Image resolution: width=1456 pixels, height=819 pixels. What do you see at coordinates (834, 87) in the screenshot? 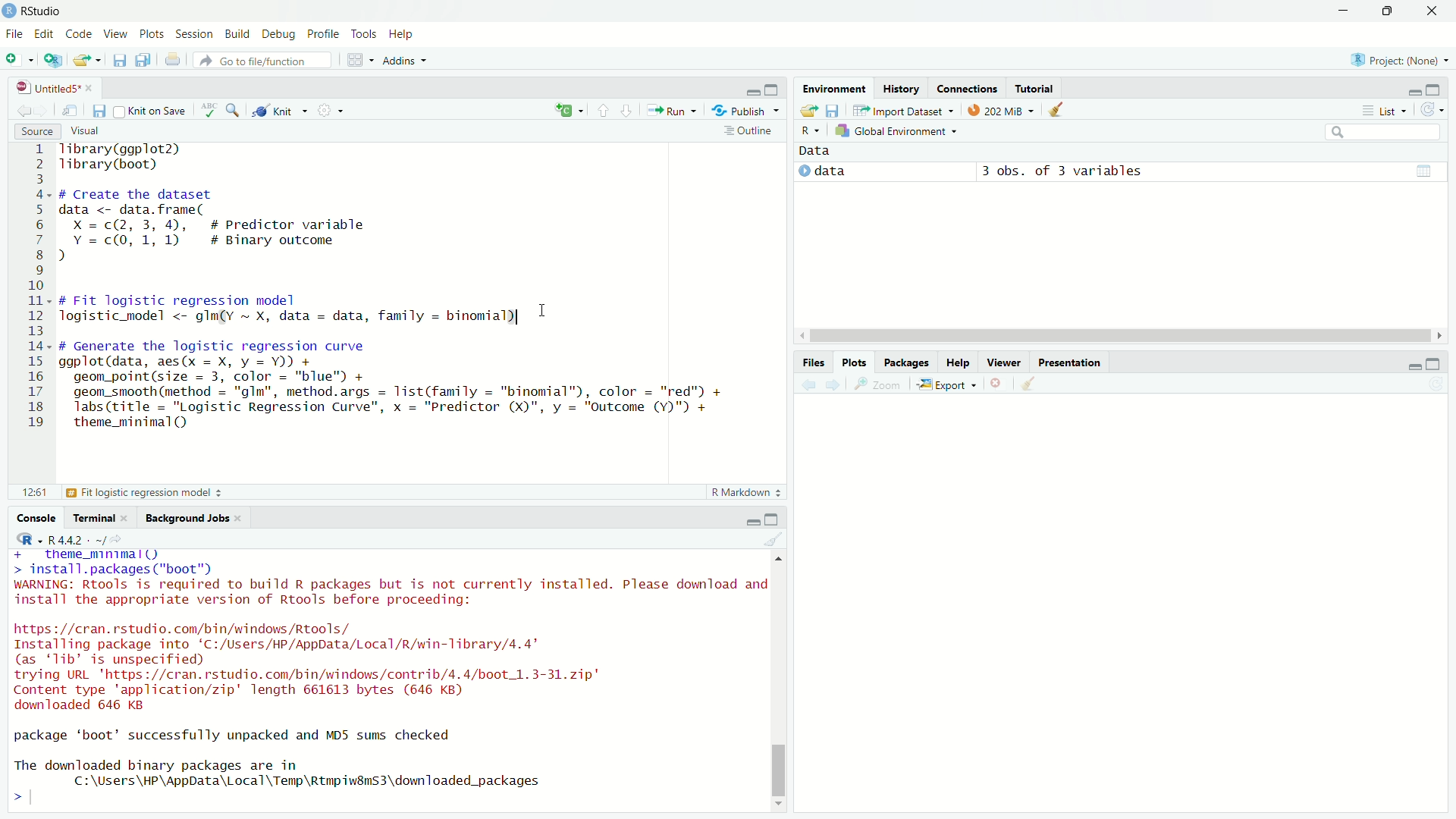
I see `Environment` at bounding box center [834, 87].